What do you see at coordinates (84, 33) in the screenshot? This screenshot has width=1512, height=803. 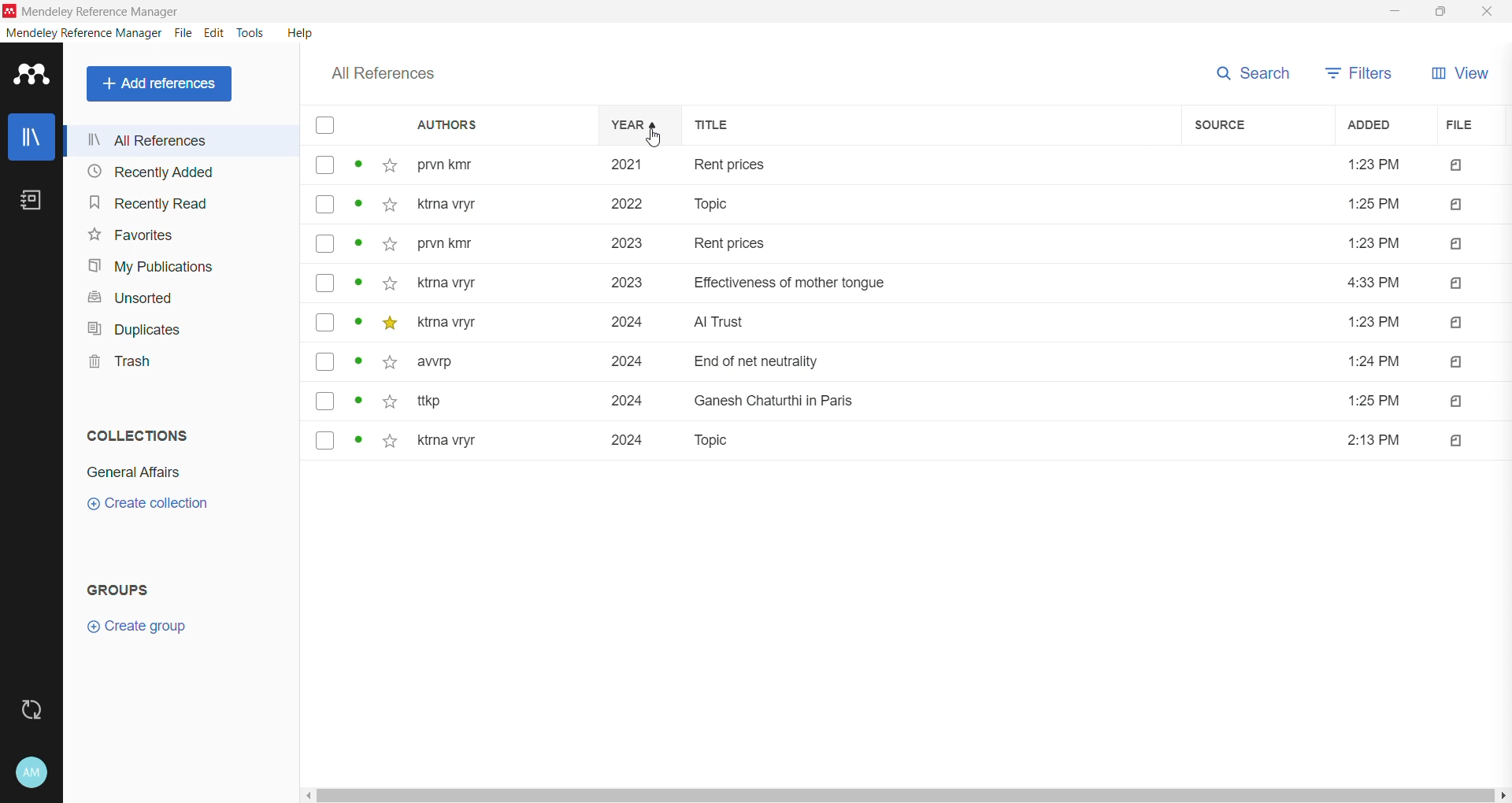 I see `Mendeley Reference Manager` at bounding box center [84, 33].